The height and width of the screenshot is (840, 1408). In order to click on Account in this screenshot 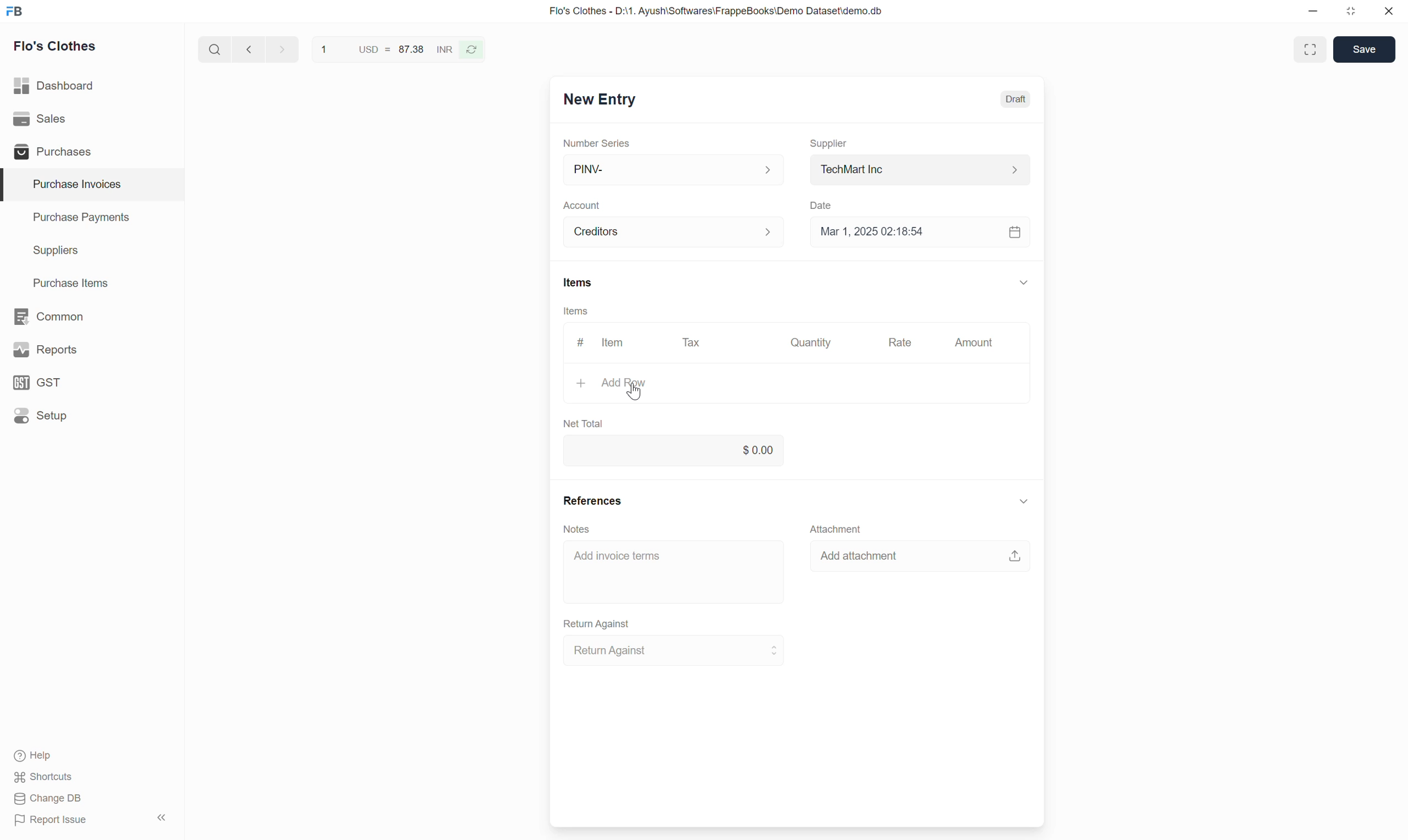, I will do `click(581, 206)`.